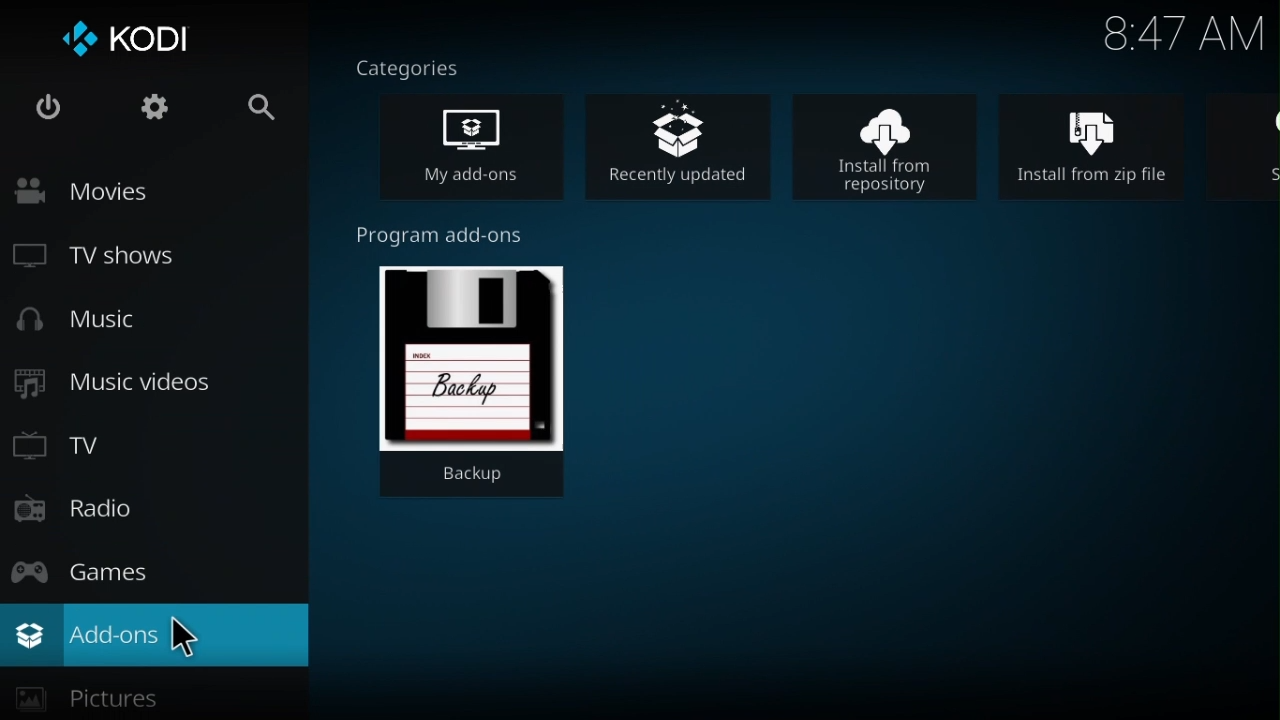 This screenshot has height=720, width=1280. What do you see at coordinates (114, 259) in the screenshot?
I see `TV shows` at bounding box center [114, 259].